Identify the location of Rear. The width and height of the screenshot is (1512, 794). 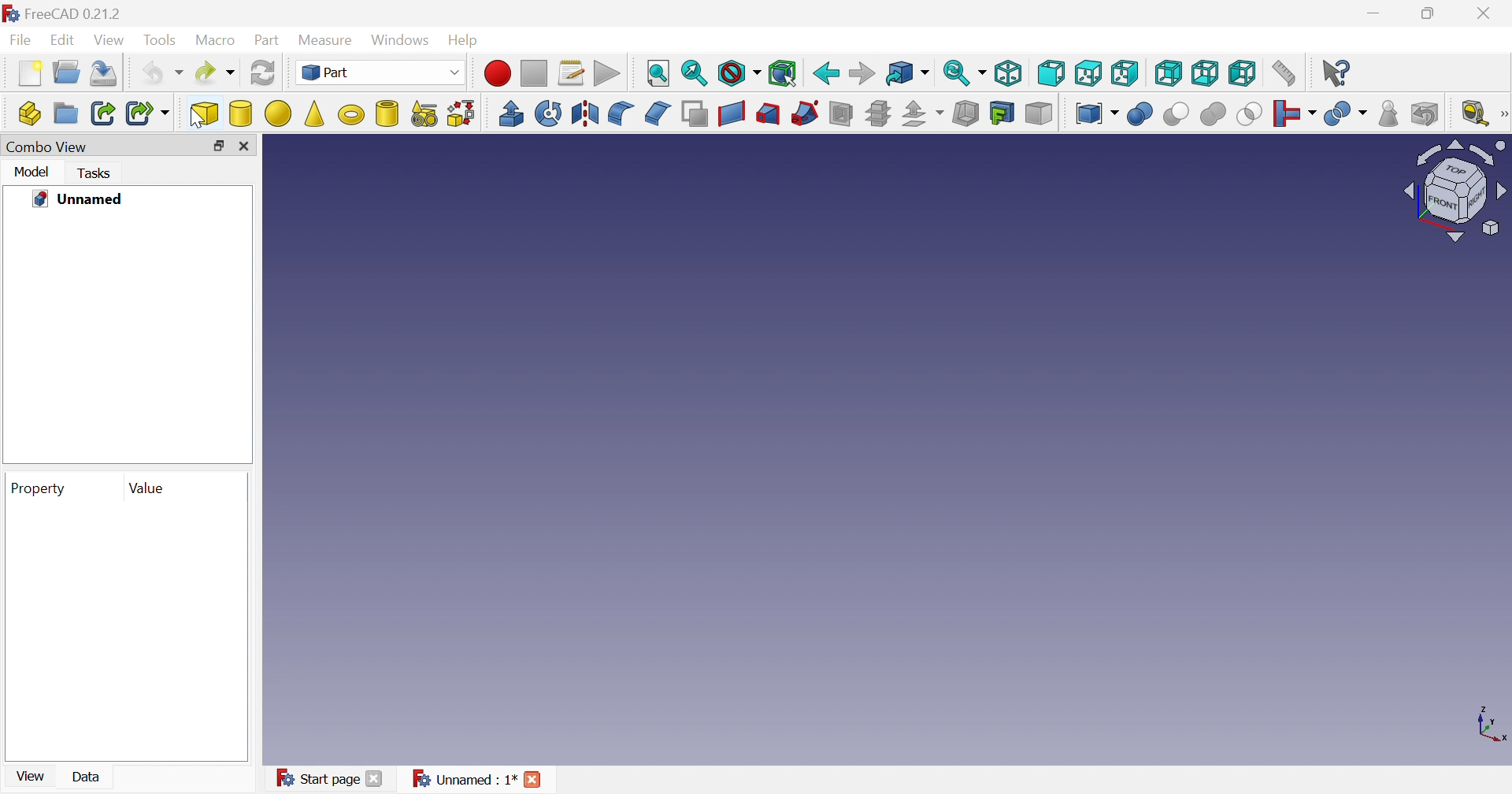
(1169, 74).